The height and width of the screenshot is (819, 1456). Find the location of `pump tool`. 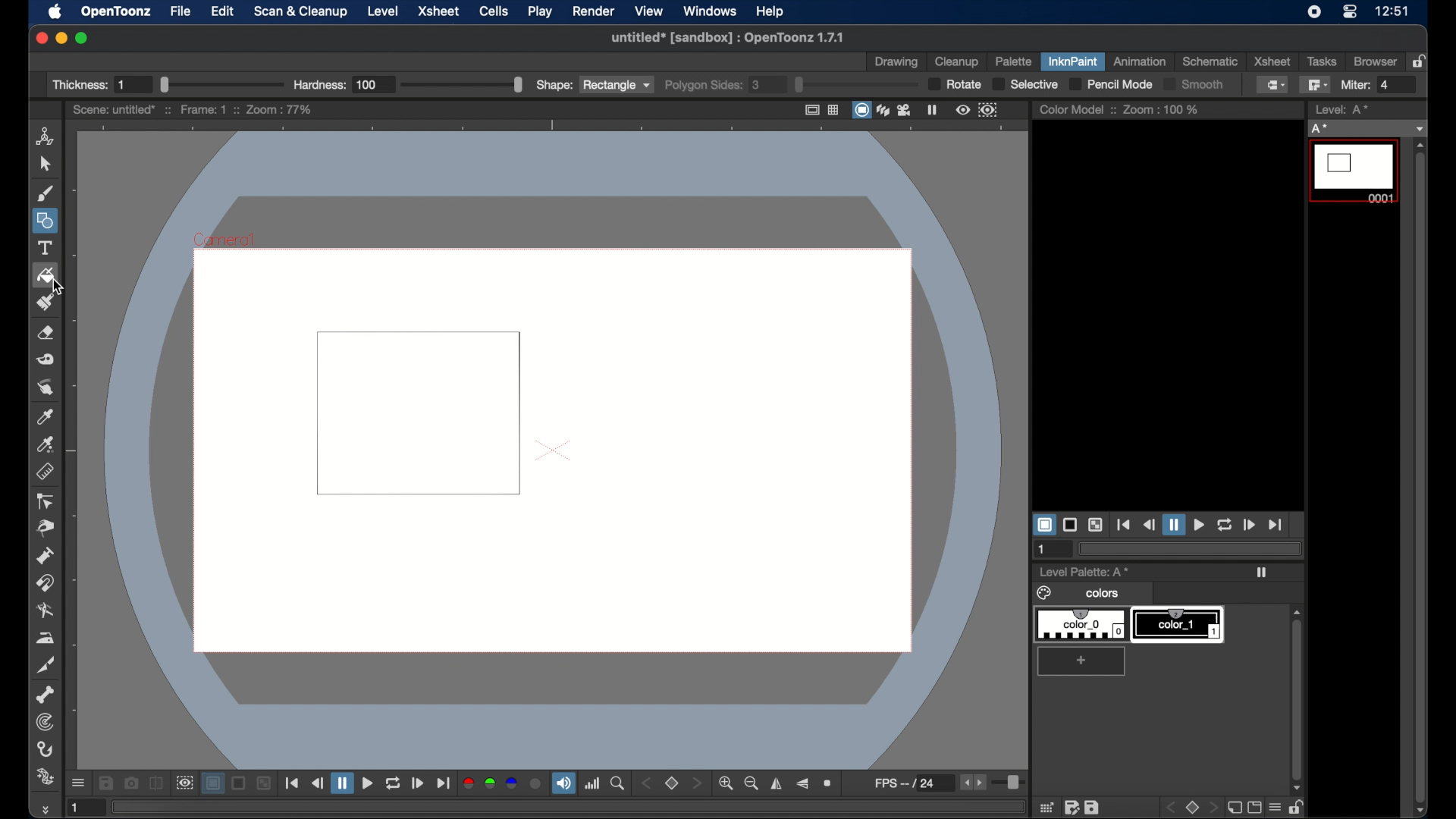

pump tool is located at coordinates (45, 556).